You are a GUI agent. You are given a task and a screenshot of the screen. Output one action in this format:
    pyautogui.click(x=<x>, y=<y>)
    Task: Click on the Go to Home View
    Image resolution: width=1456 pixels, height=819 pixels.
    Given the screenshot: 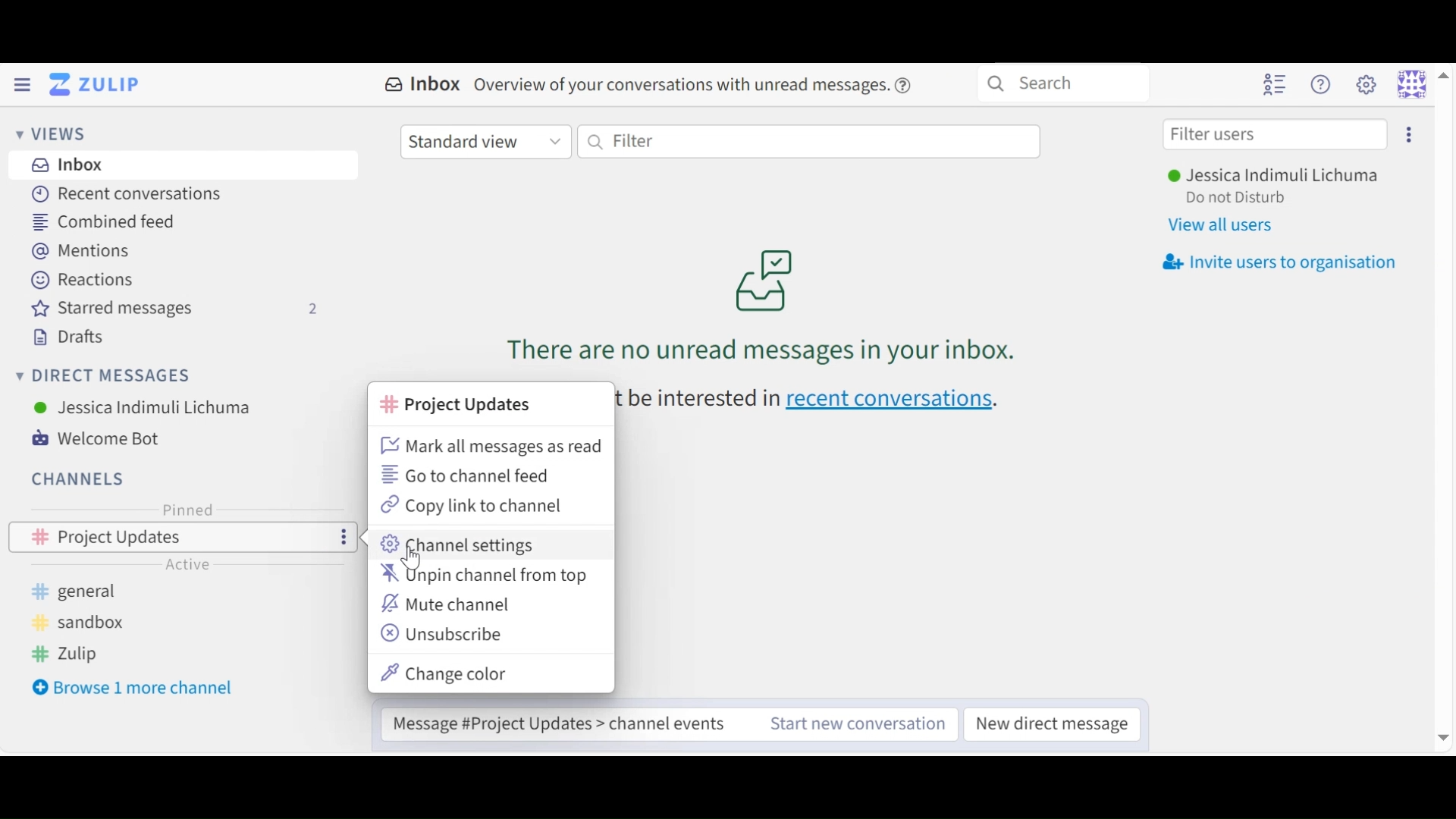 What is the action you would take?
    pyautogui.click(x=92, y=86)
    